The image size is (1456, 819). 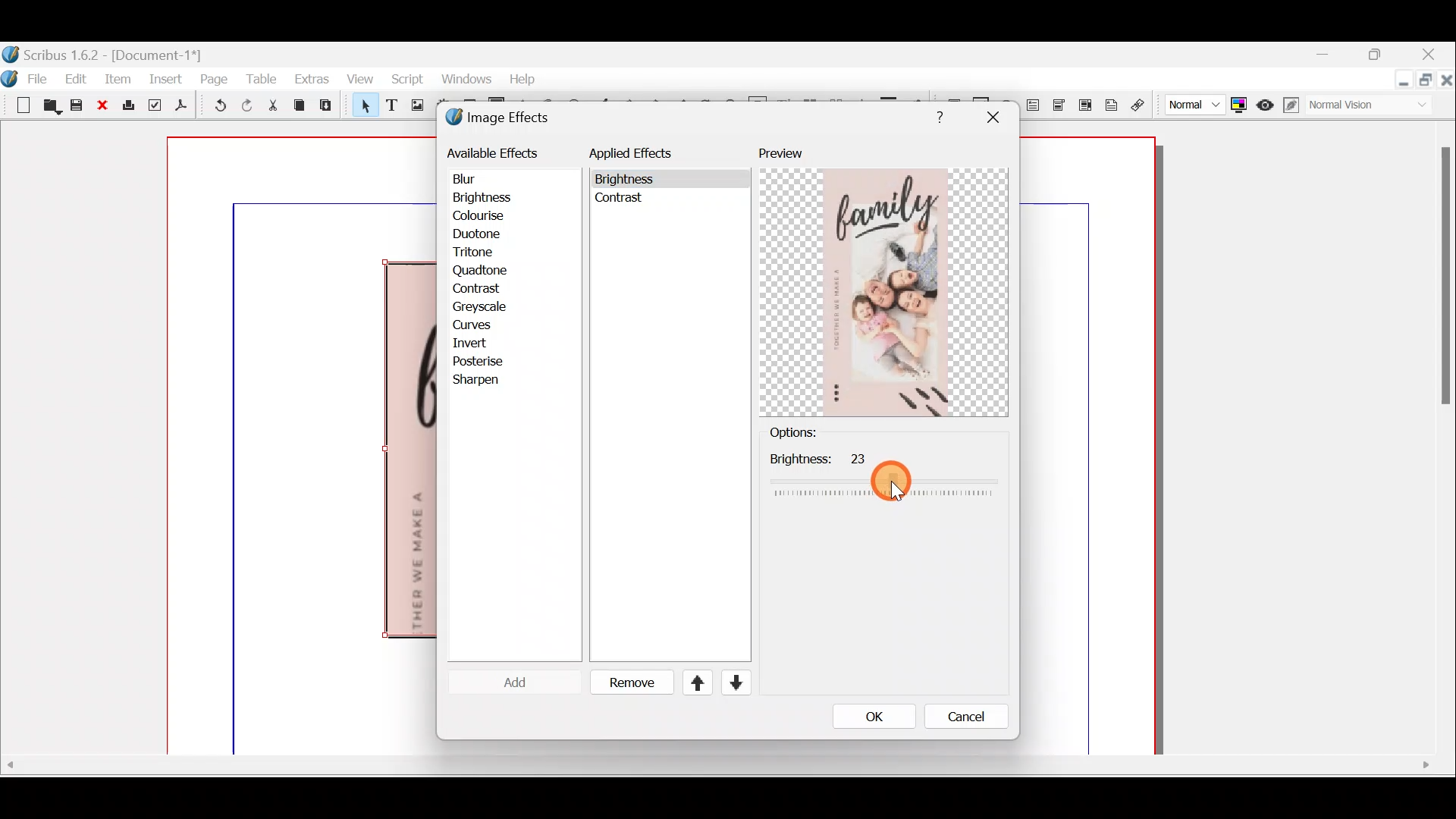 I want to click on Available effects, so click(x=495, y=152).